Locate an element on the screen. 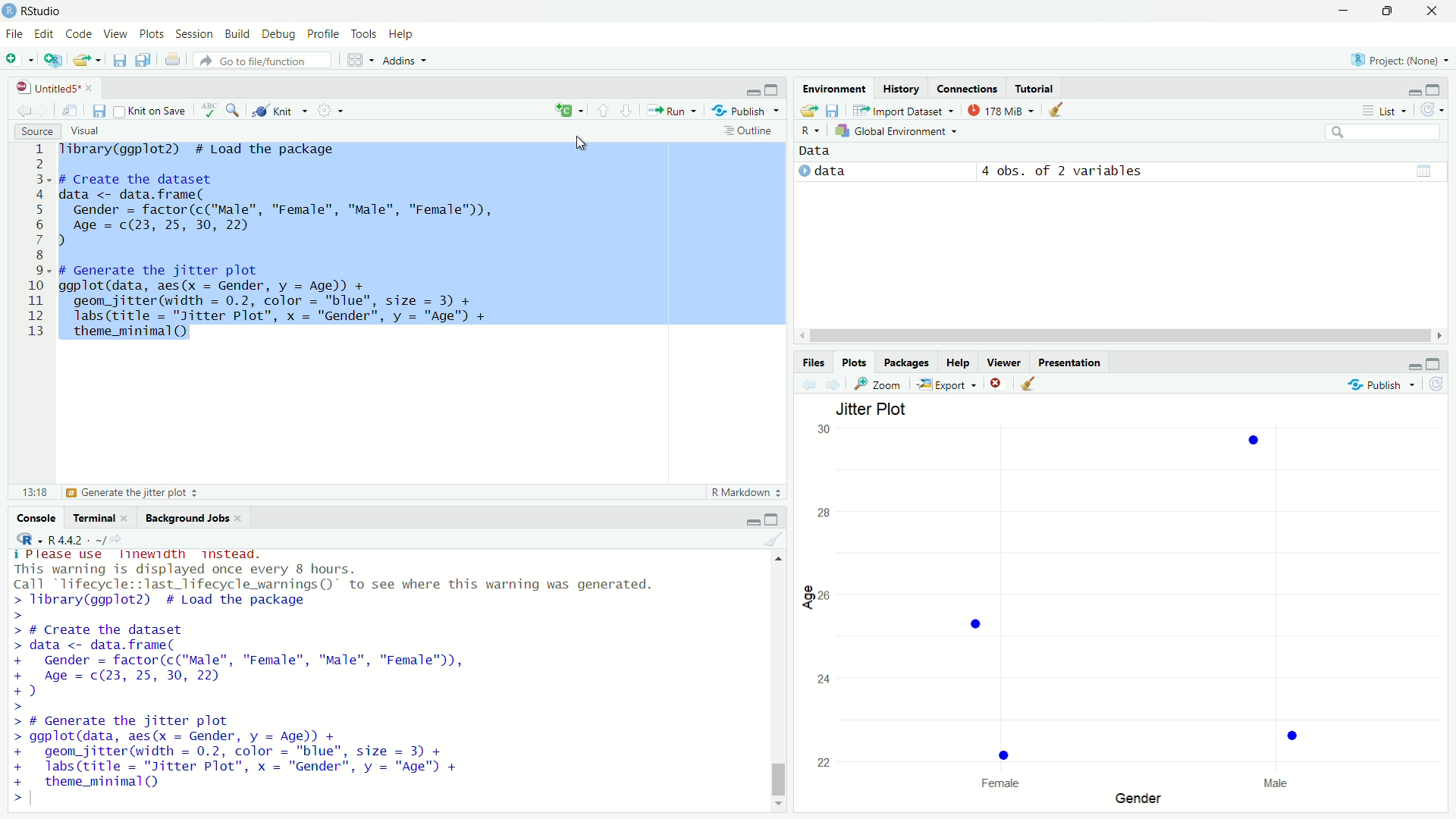 The width and height of the screenshot is (1456, 819). edit is located at coordinates (45, 35).